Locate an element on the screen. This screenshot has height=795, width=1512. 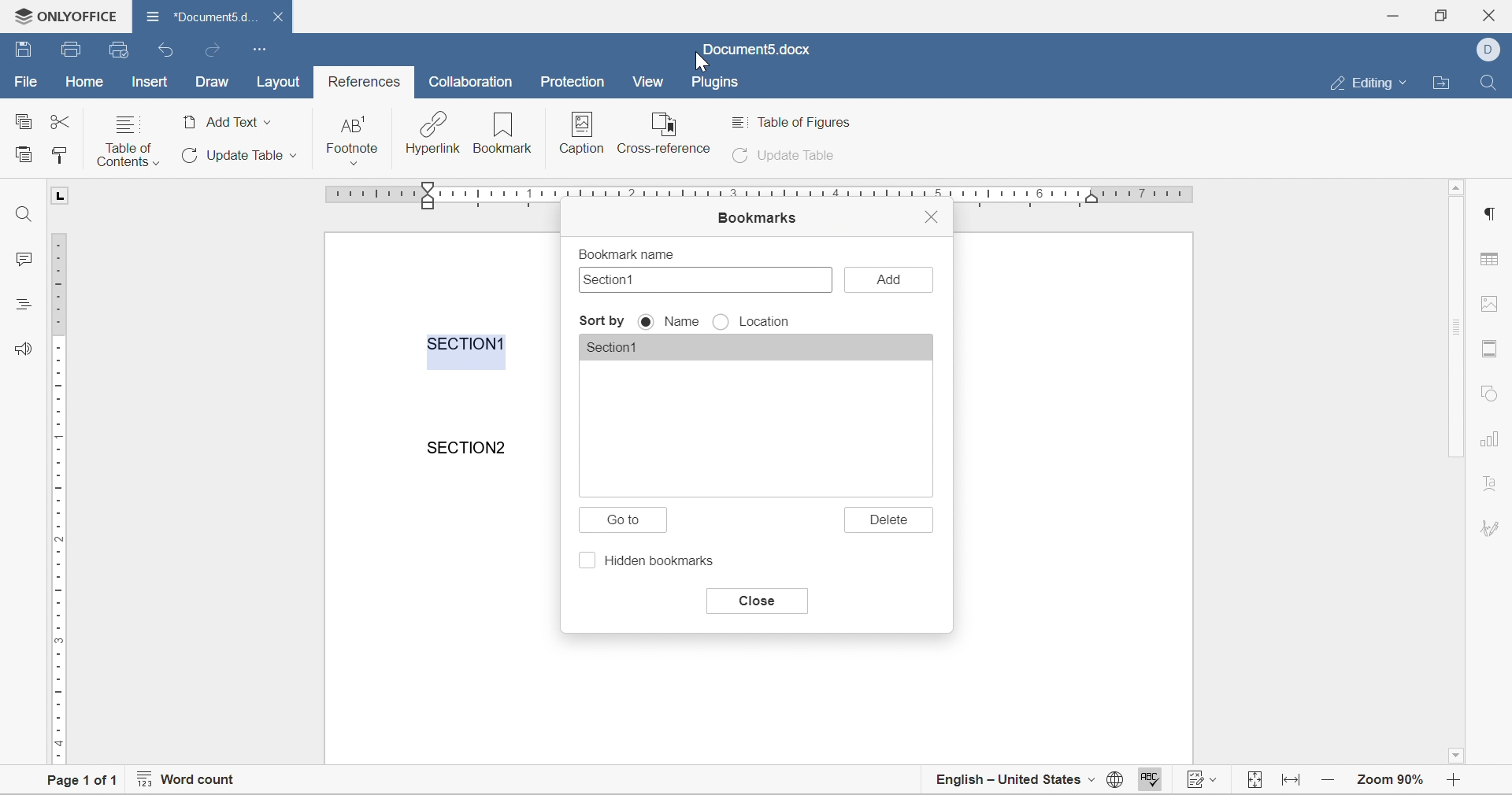
name is located at coordinates (681, 321).